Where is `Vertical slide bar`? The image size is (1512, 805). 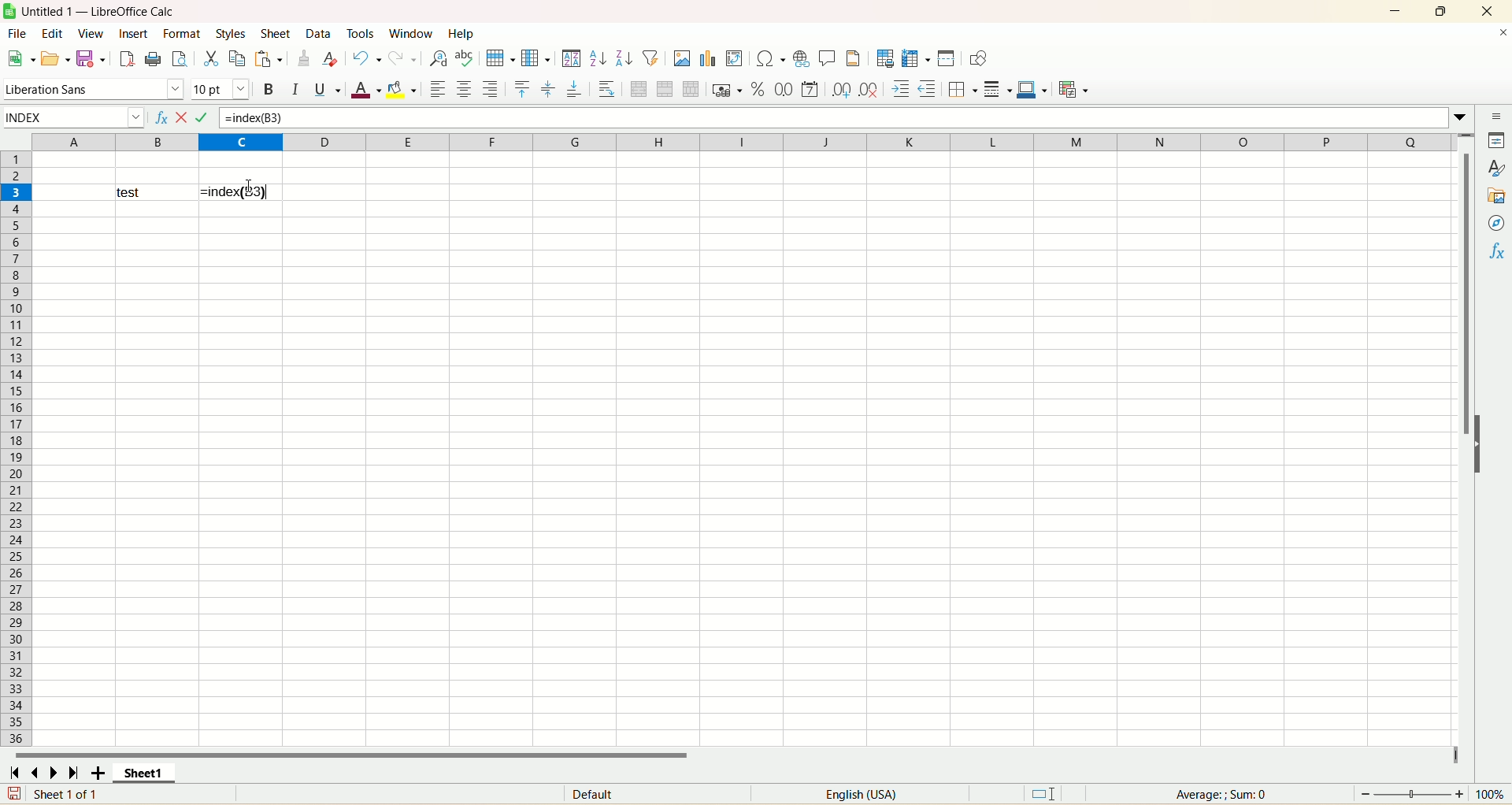 Vertical slide bar is located at coordinates (1465, 449).